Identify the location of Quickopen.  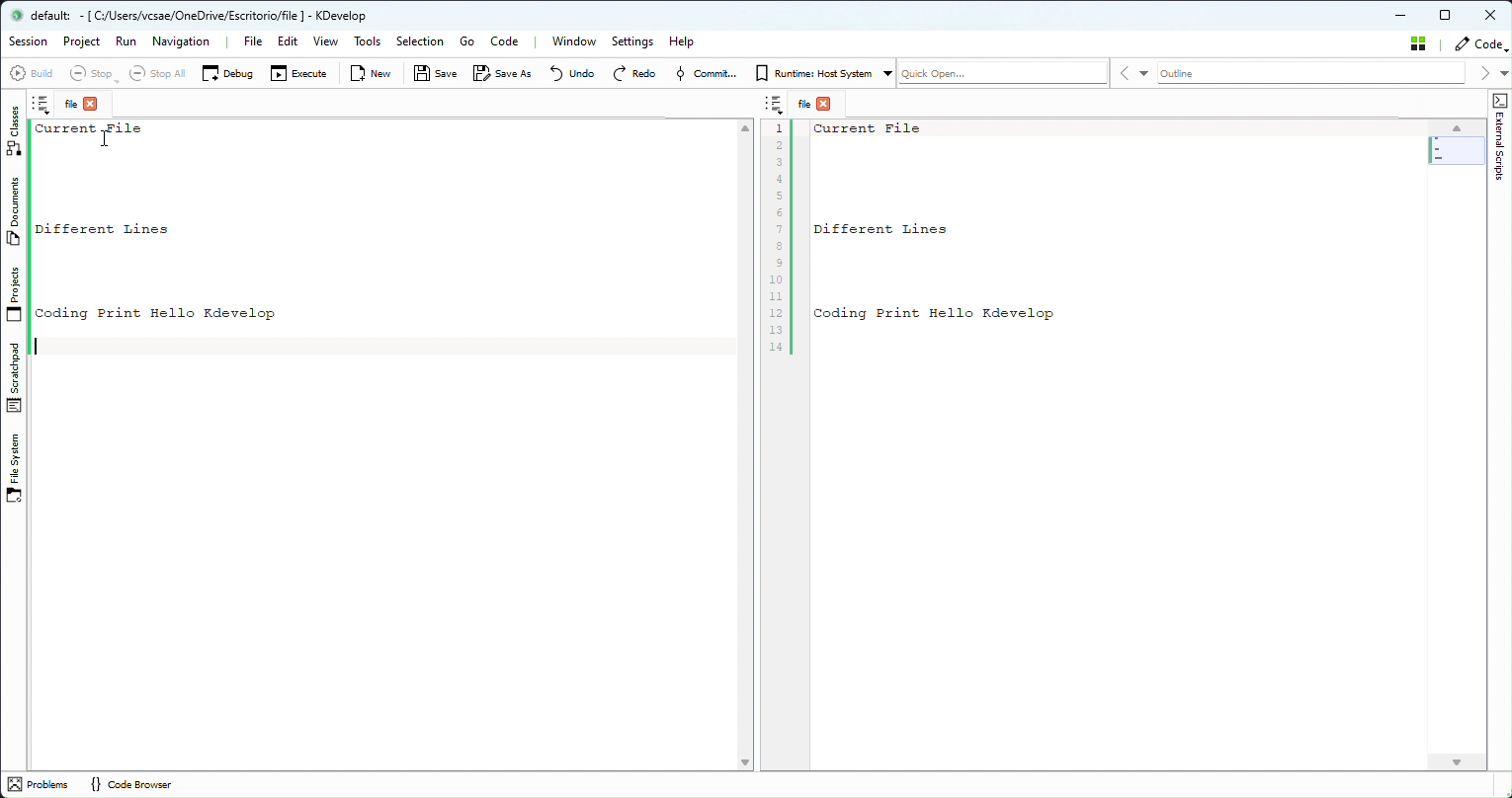
(1003, 75).